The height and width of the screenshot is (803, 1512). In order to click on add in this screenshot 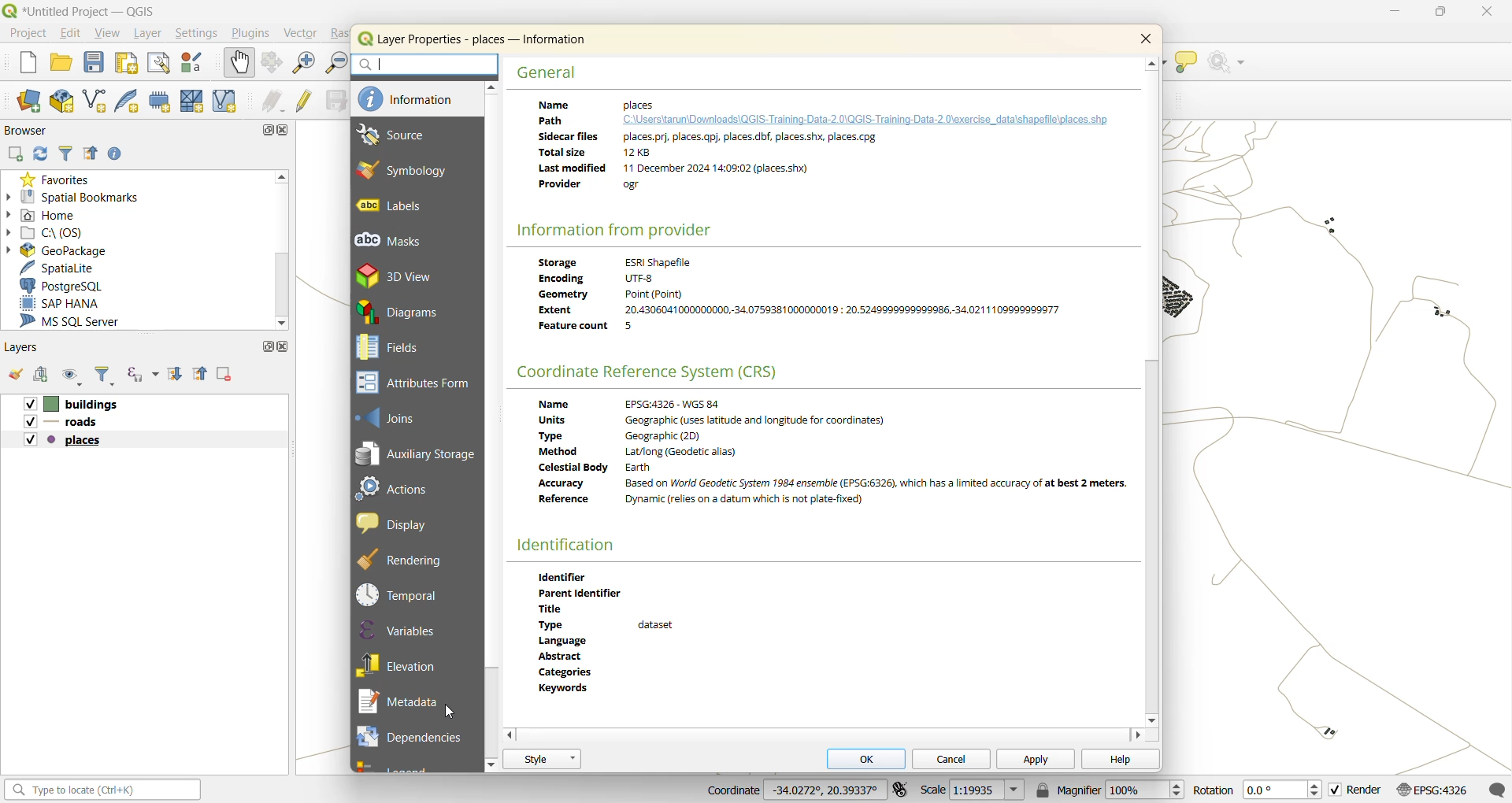, I will do `click(14, 154)`.